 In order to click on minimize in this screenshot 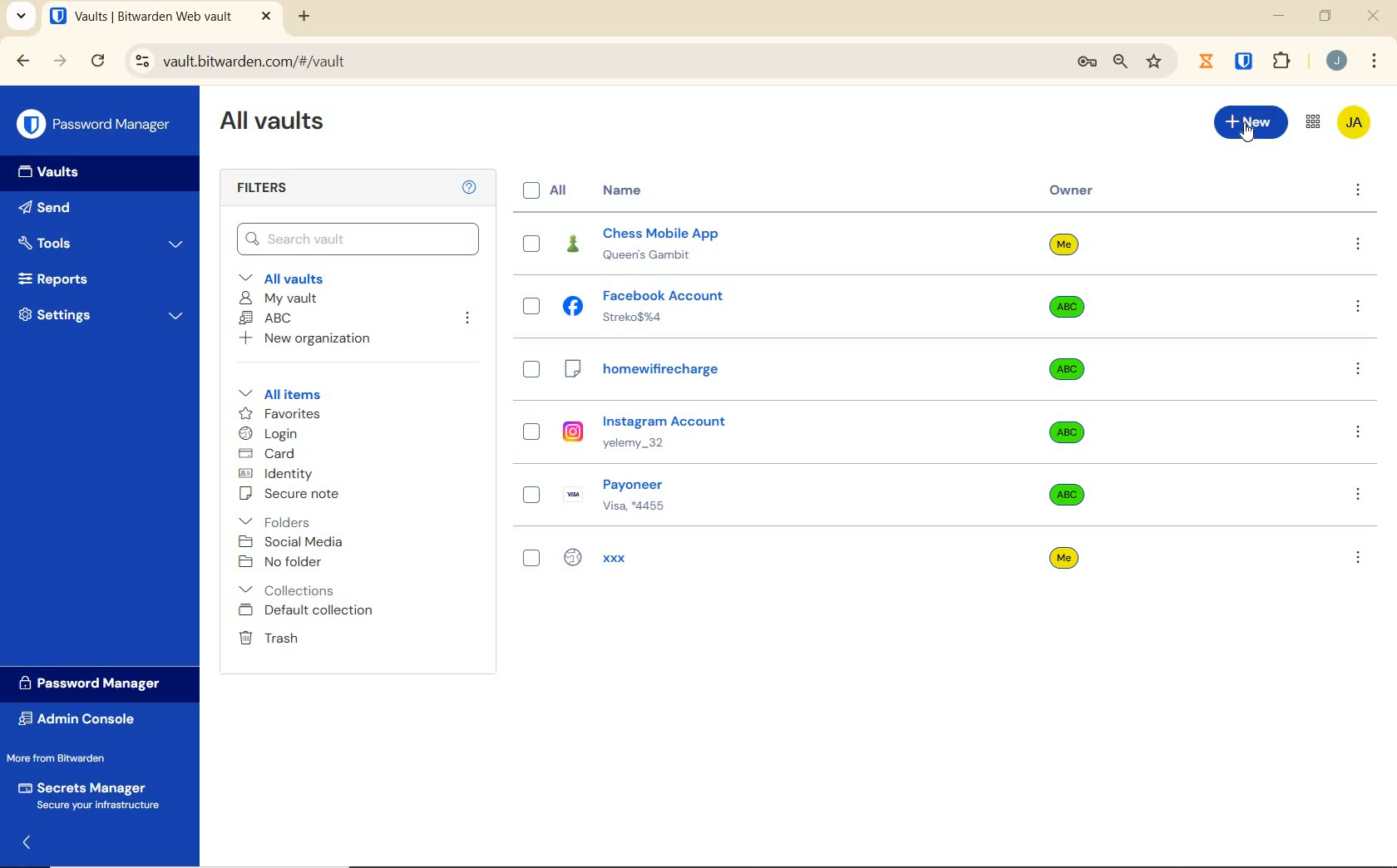, I will do `click(1281, 16)`.